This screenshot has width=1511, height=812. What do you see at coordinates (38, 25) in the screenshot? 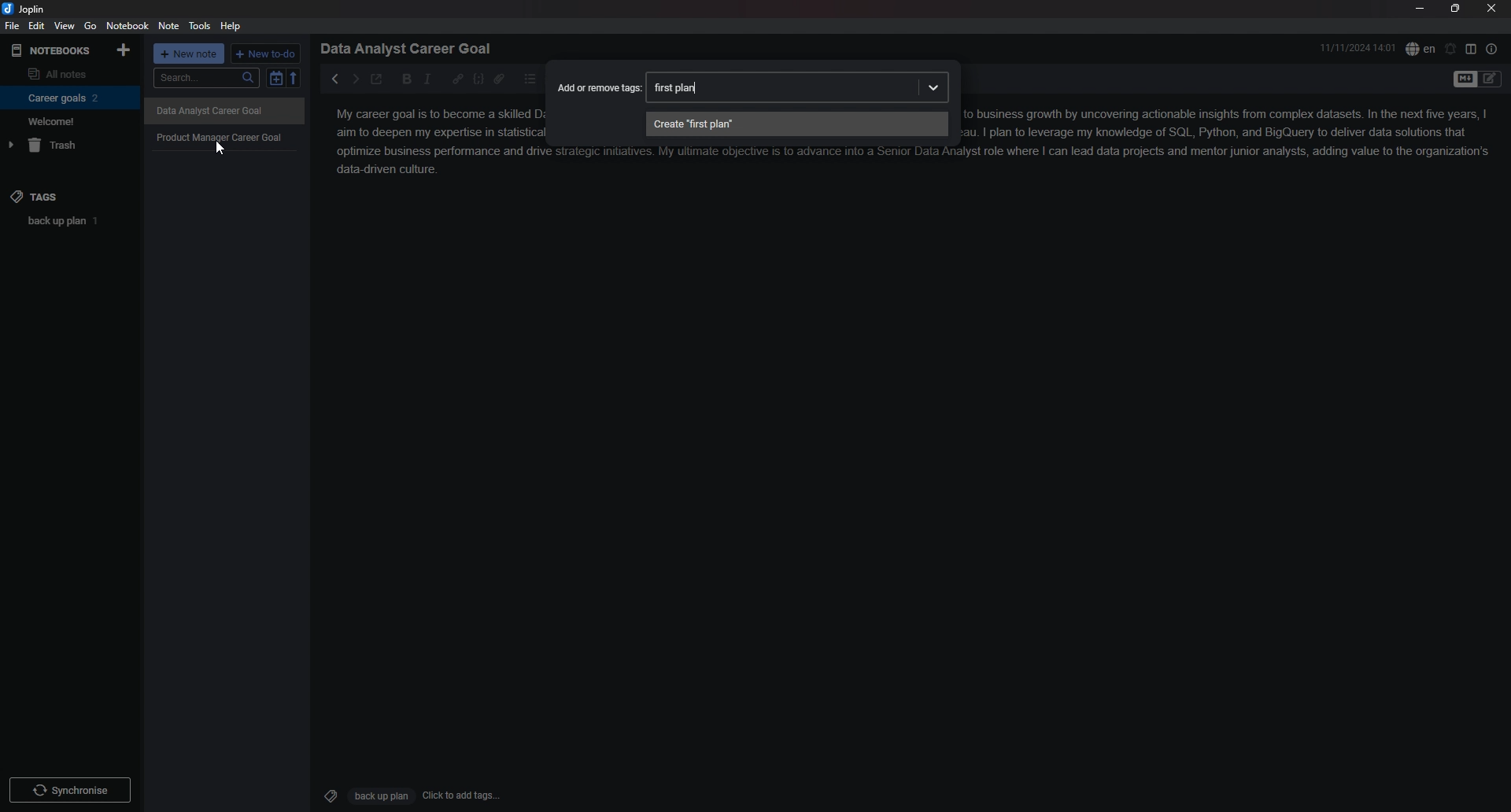
I see `edit` at bounding box center [38, 25].